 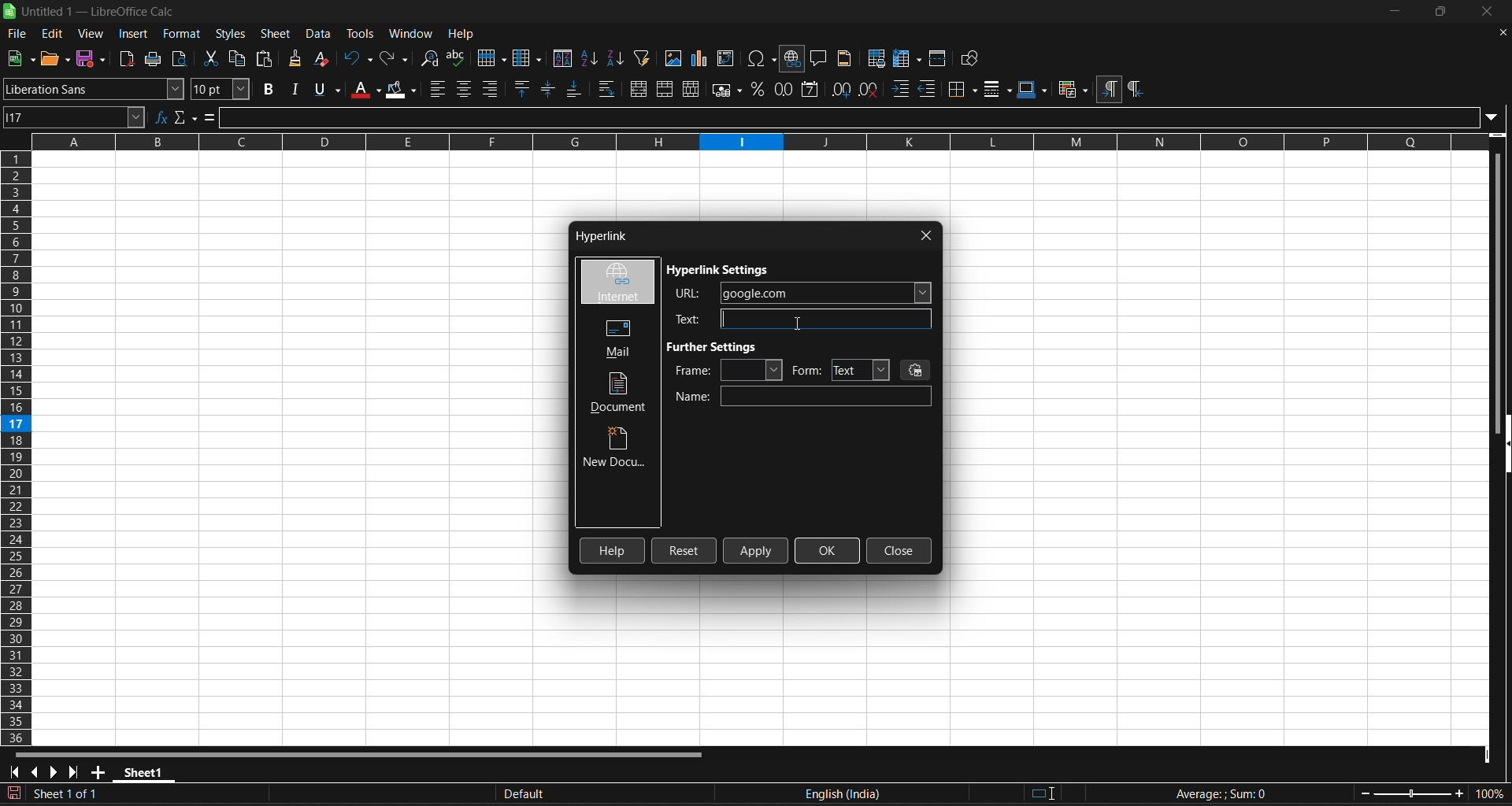 I want to click on sort ascending, so click(x=591, y=58).